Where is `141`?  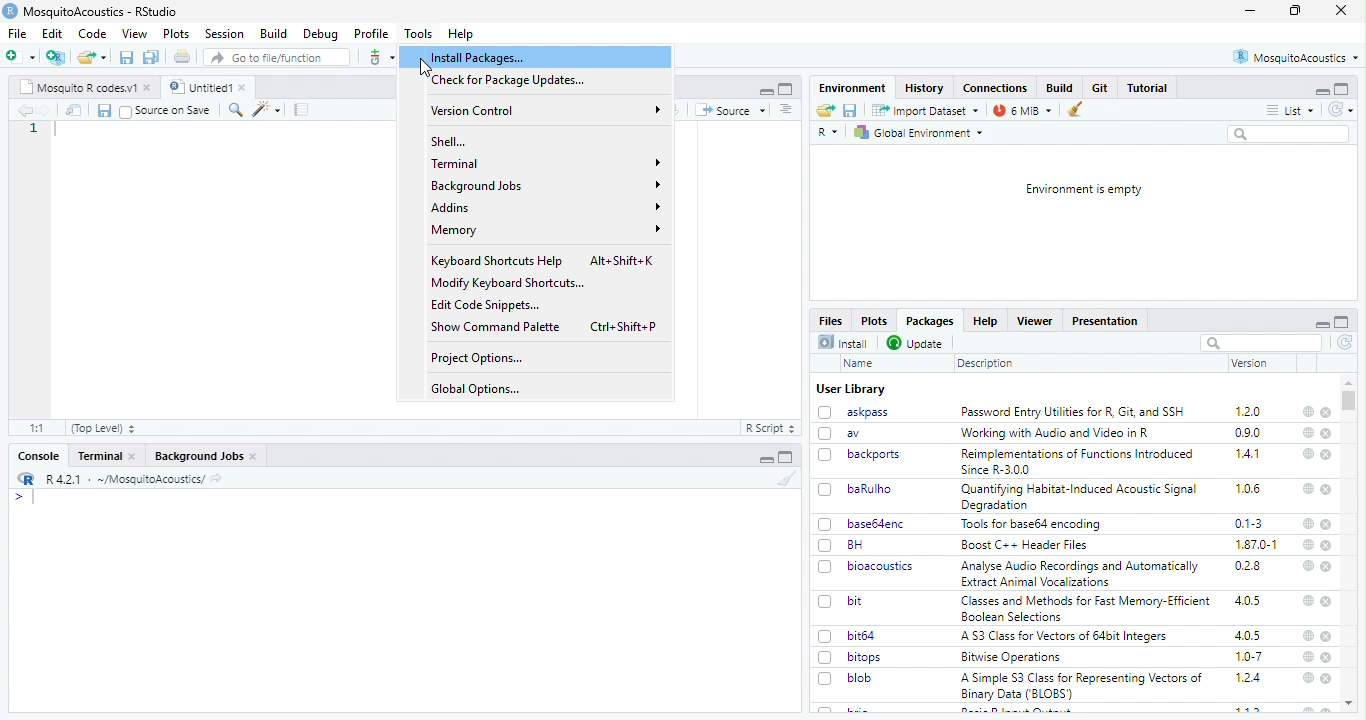 141 is located at coordinates (1249, 454).